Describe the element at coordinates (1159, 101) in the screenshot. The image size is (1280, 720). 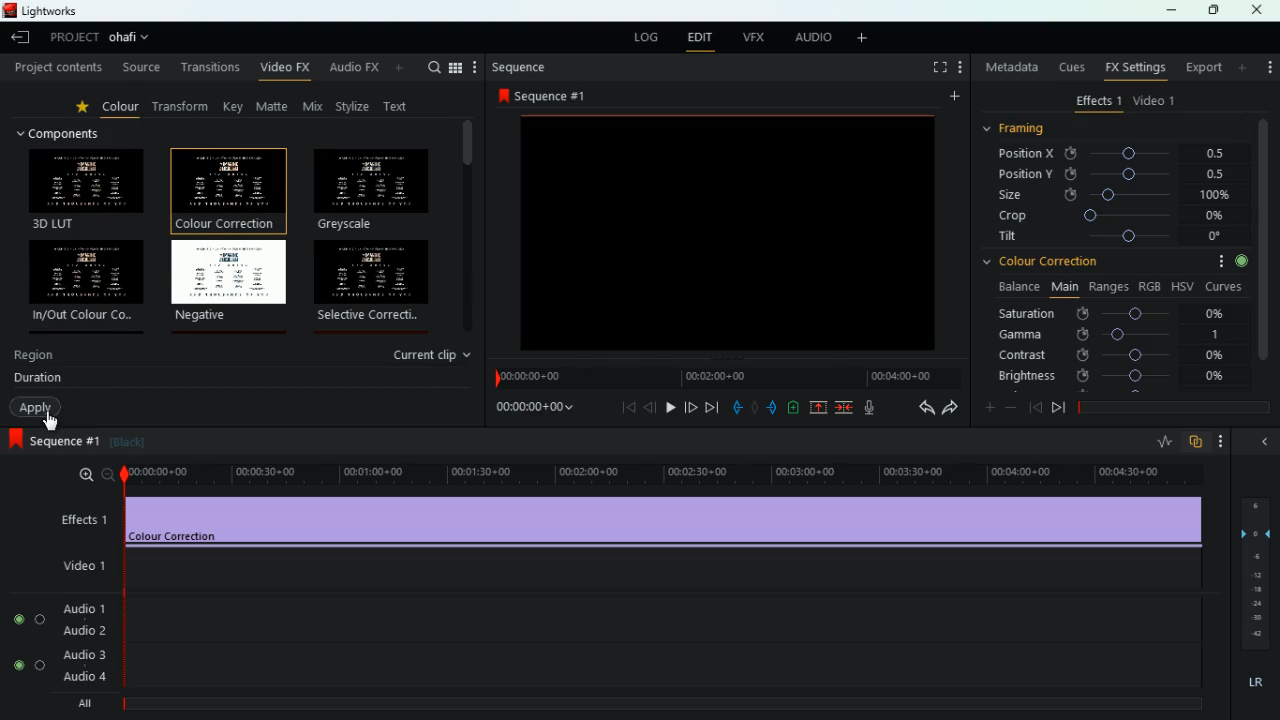
I see `video 1` at that location.